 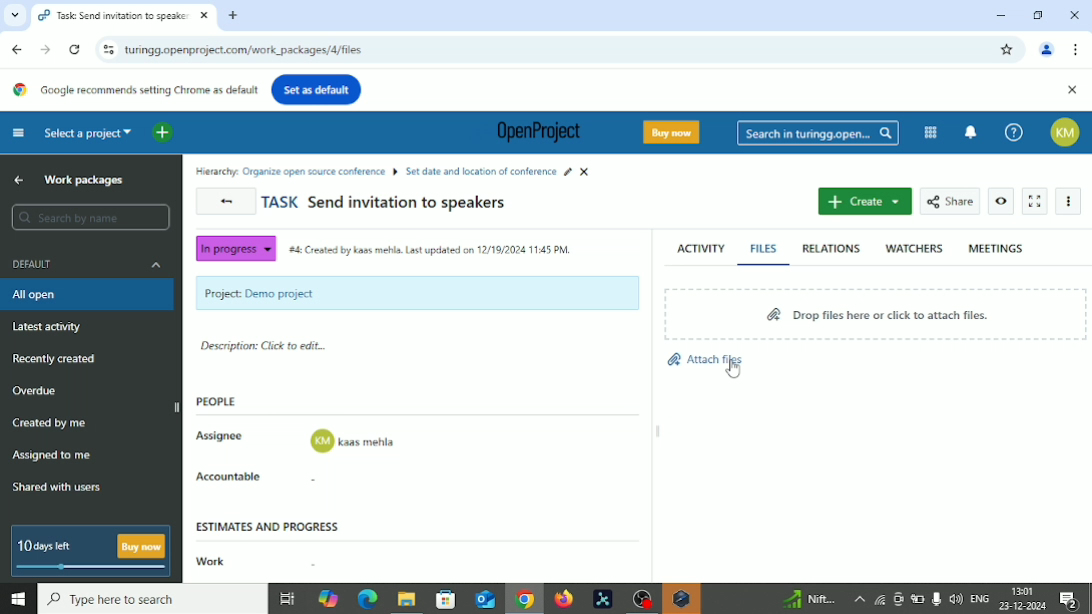 What do you see at coordinates (236, 477) in the screenshot?
I see `Accountable` at bounding box center [236, 477].